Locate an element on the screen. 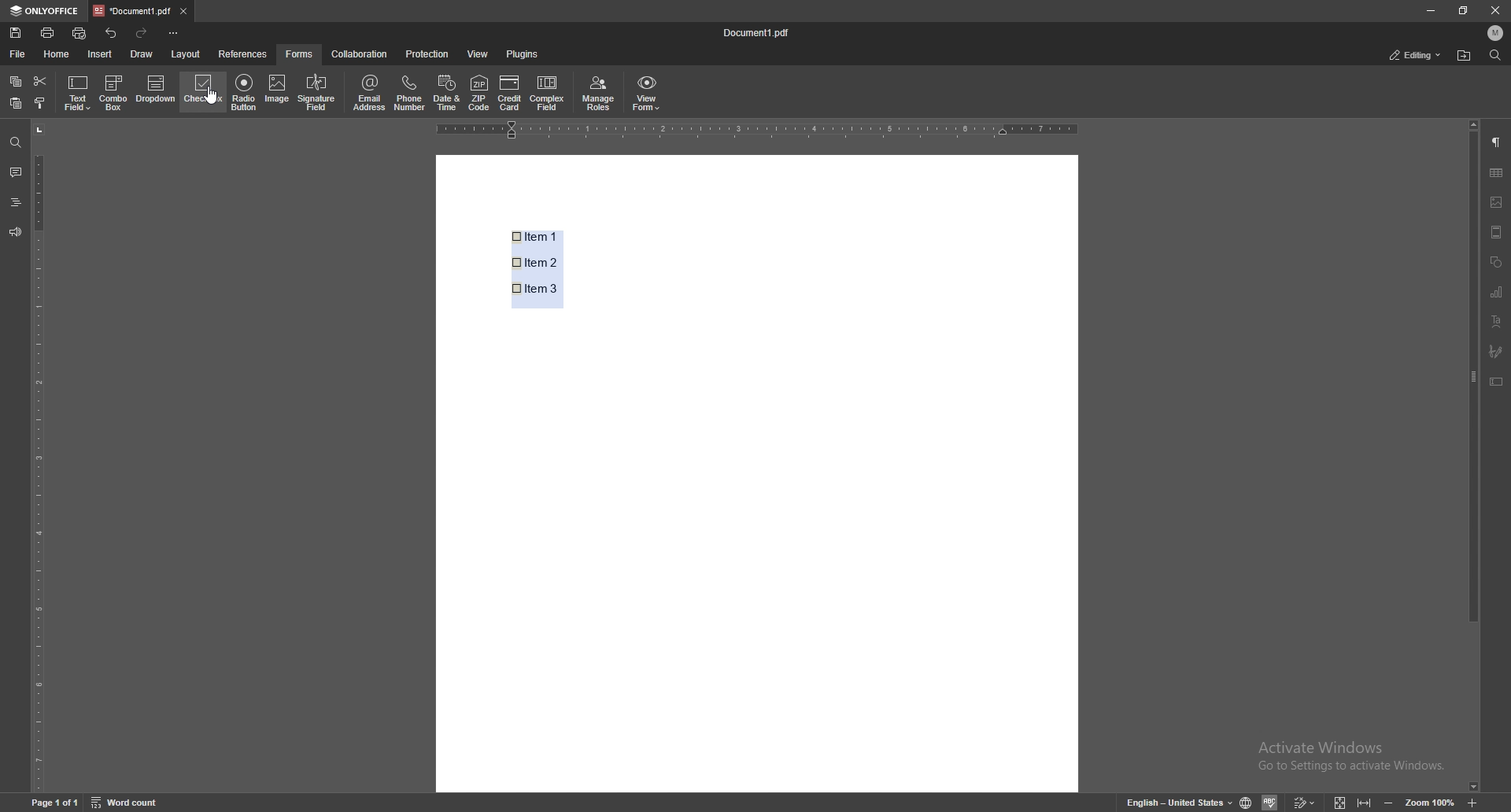 The width and height of the screenshot is (1511, 812). find location is located at coordinates (1464, 57).